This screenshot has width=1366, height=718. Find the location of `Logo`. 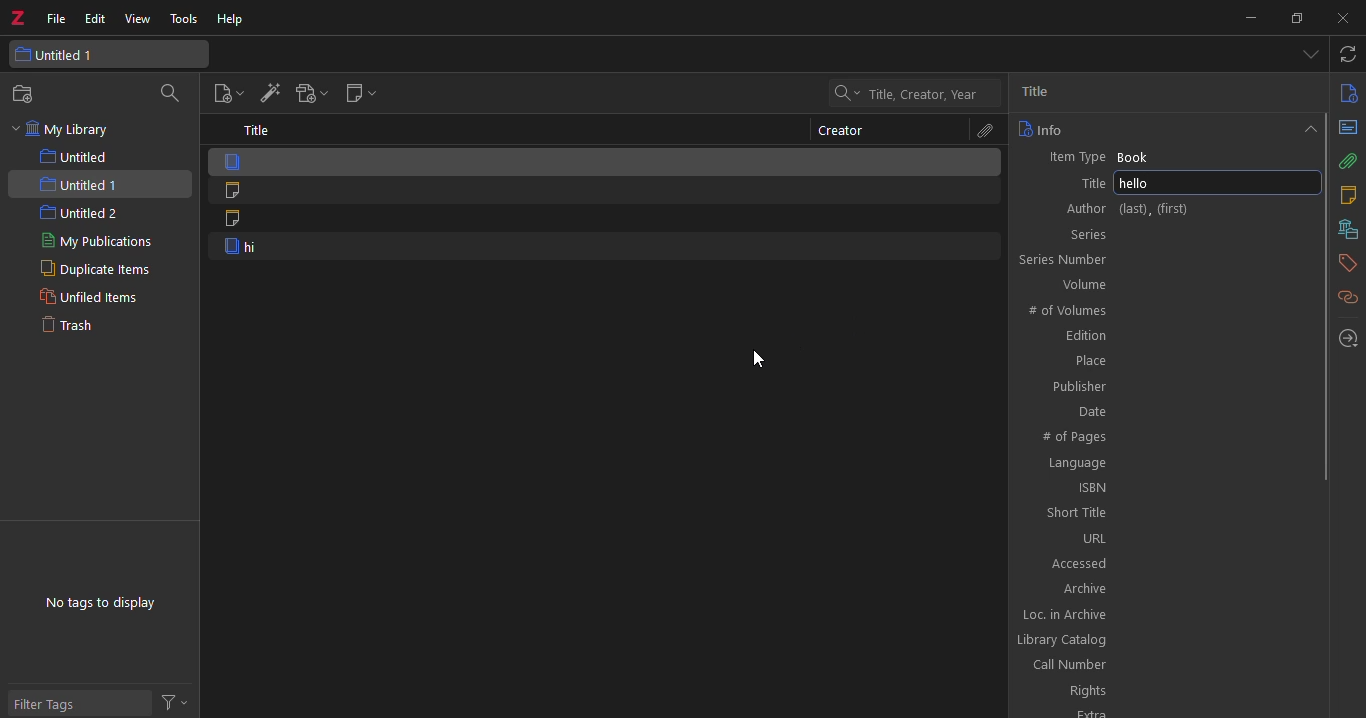

Logo is located at coordinates (17, 14).